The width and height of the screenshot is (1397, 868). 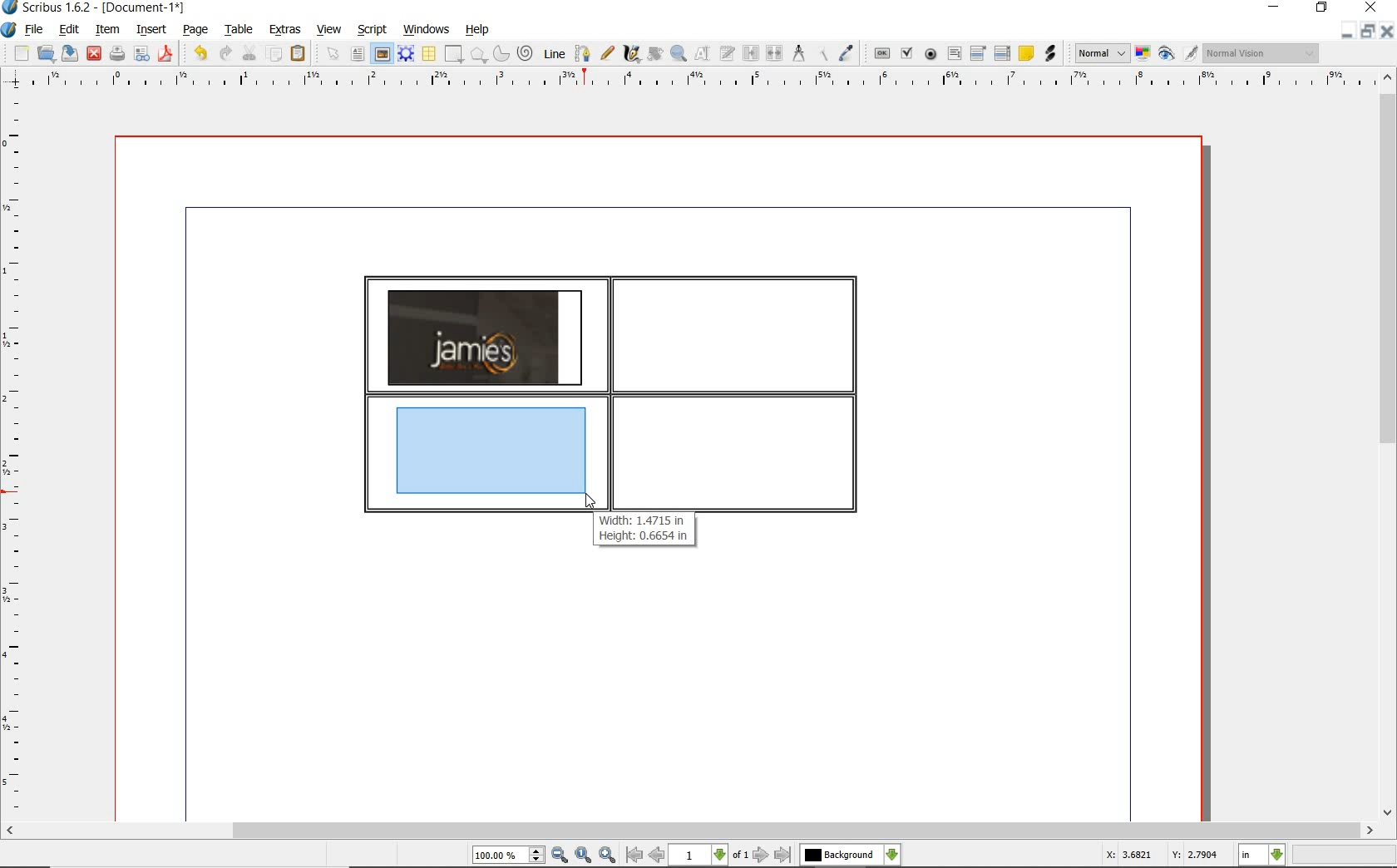 What do you see at coordinates (1101, 52) in the screenshot?
I see `image preview quality` at bounding box center [1101, 52].